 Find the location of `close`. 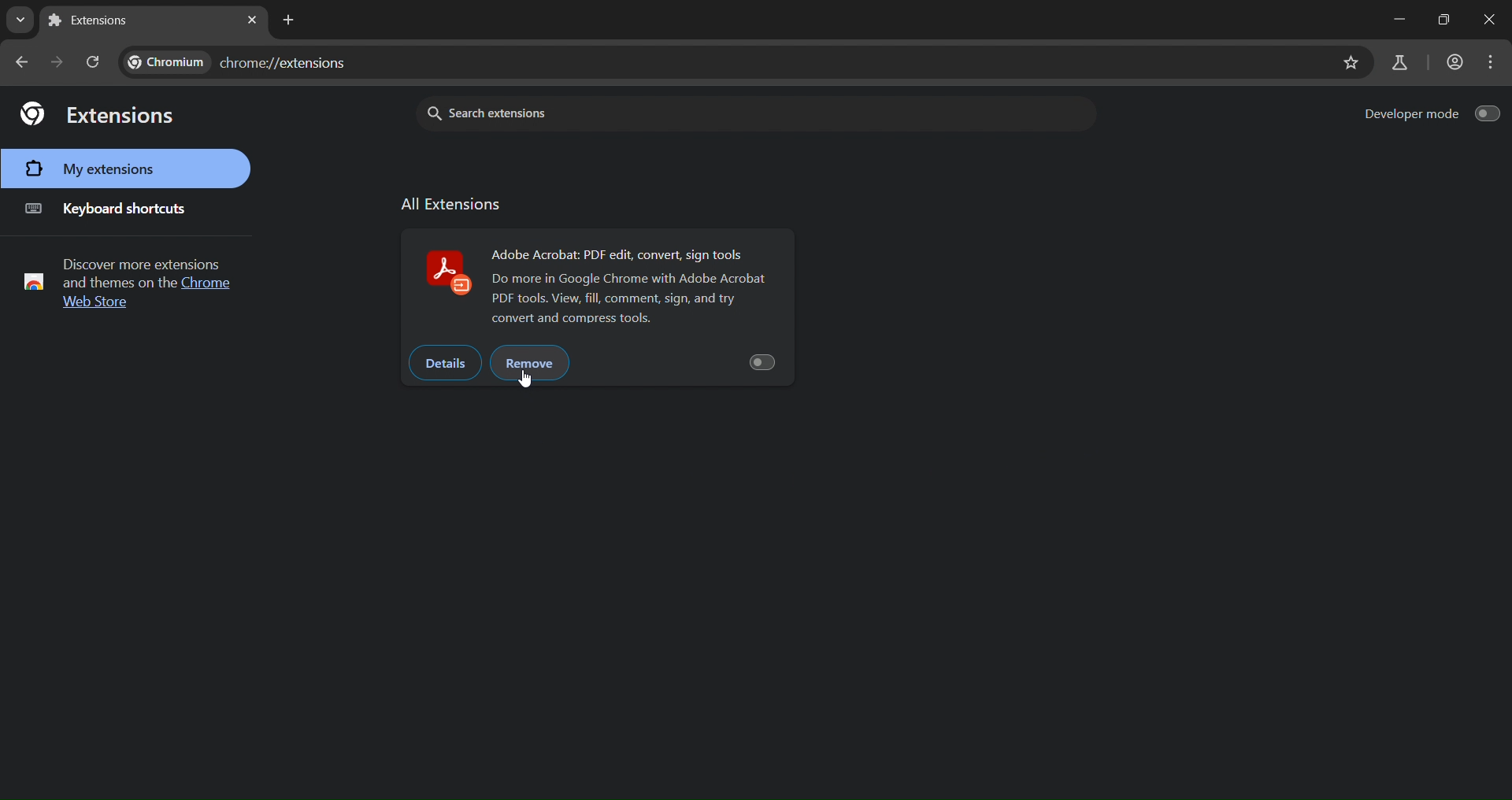

close is located at coordinates (1495, 14).